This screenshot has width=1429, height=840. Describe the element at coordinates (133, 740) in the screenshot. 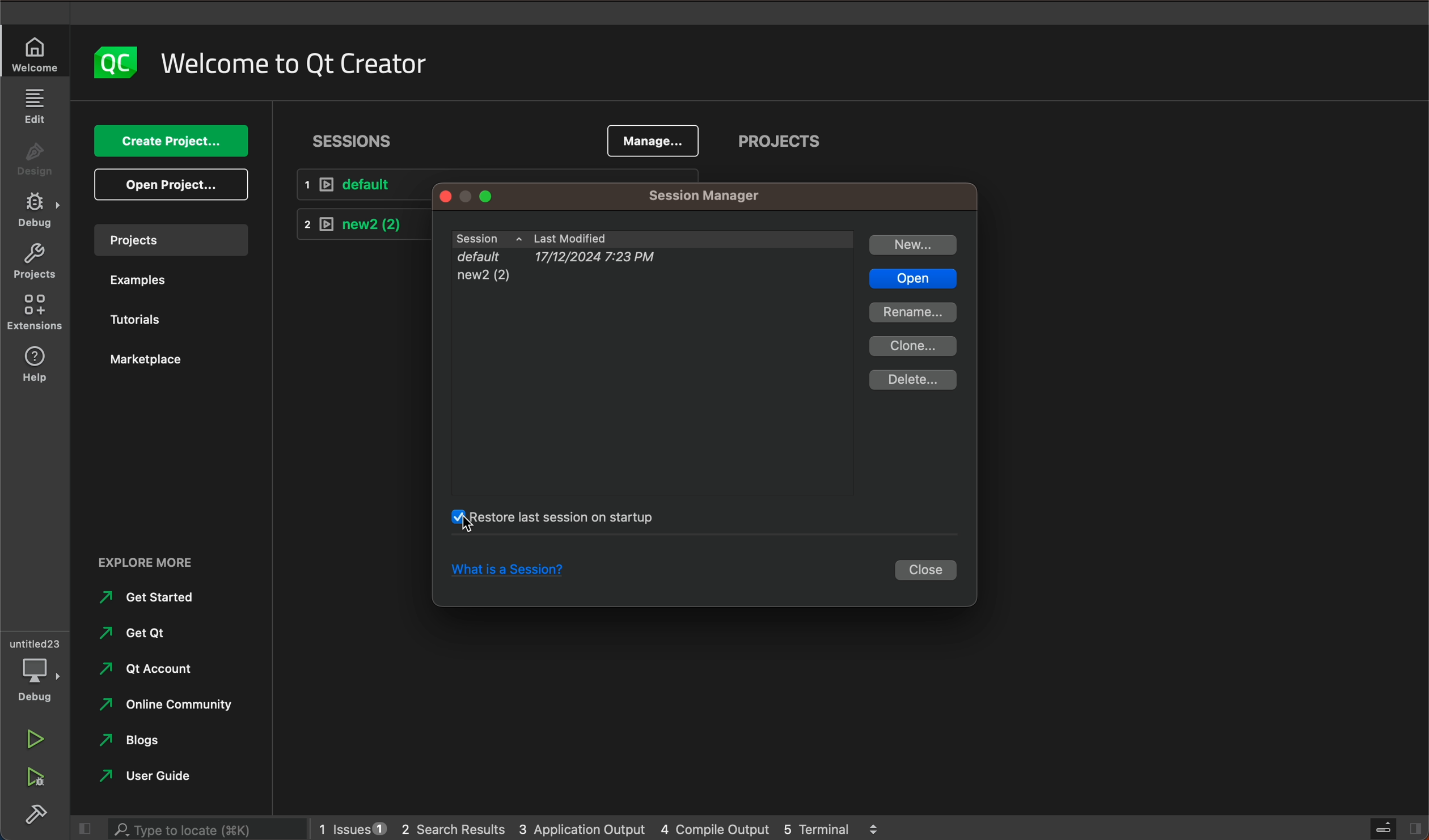

I see `blogs` at that location.